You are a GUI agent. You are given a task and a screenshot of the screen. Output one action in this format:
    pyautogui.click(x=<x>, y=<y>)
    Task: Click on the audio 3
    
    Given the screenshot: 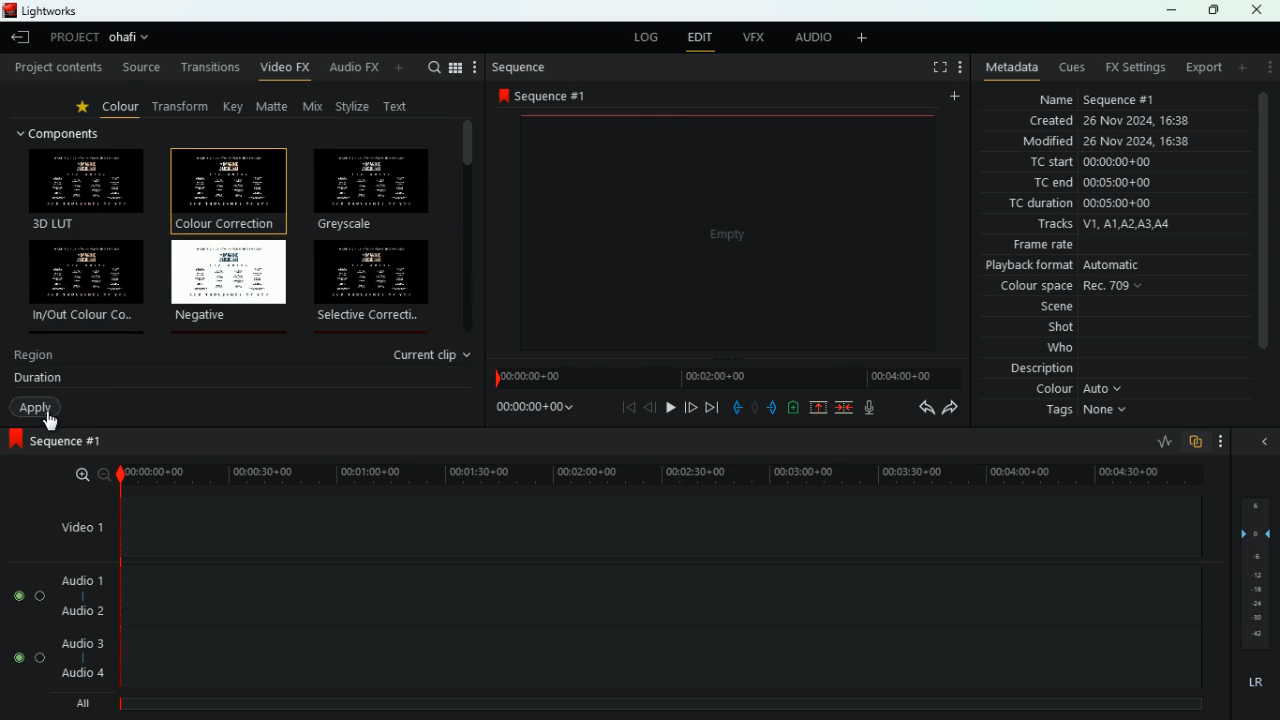 What is the action you would take?
    pyautogui.click(x=82, y=644)
    